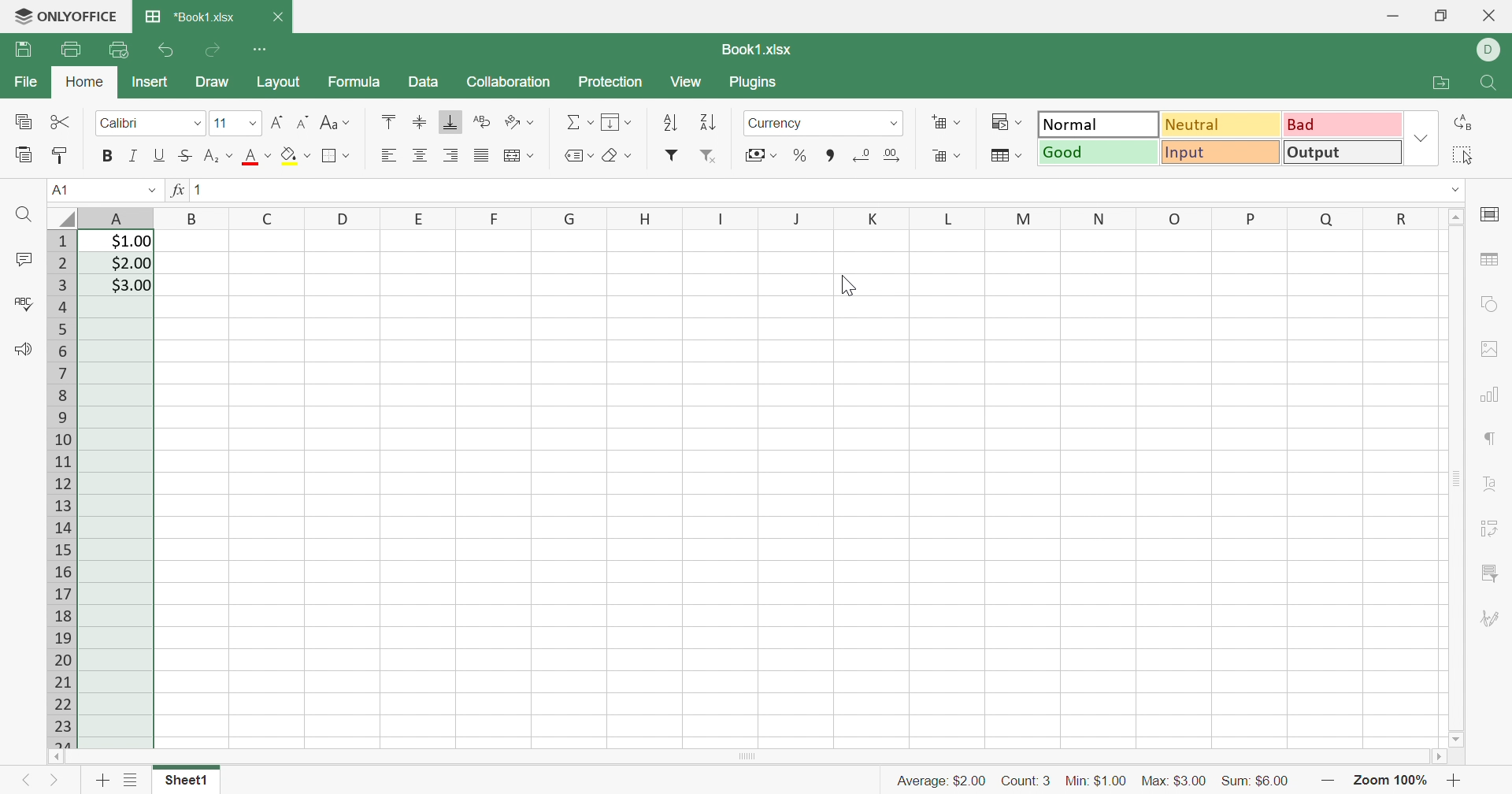 The width and height of the screenshot is (1512, 794). I want to click on File, so click(29, 82).